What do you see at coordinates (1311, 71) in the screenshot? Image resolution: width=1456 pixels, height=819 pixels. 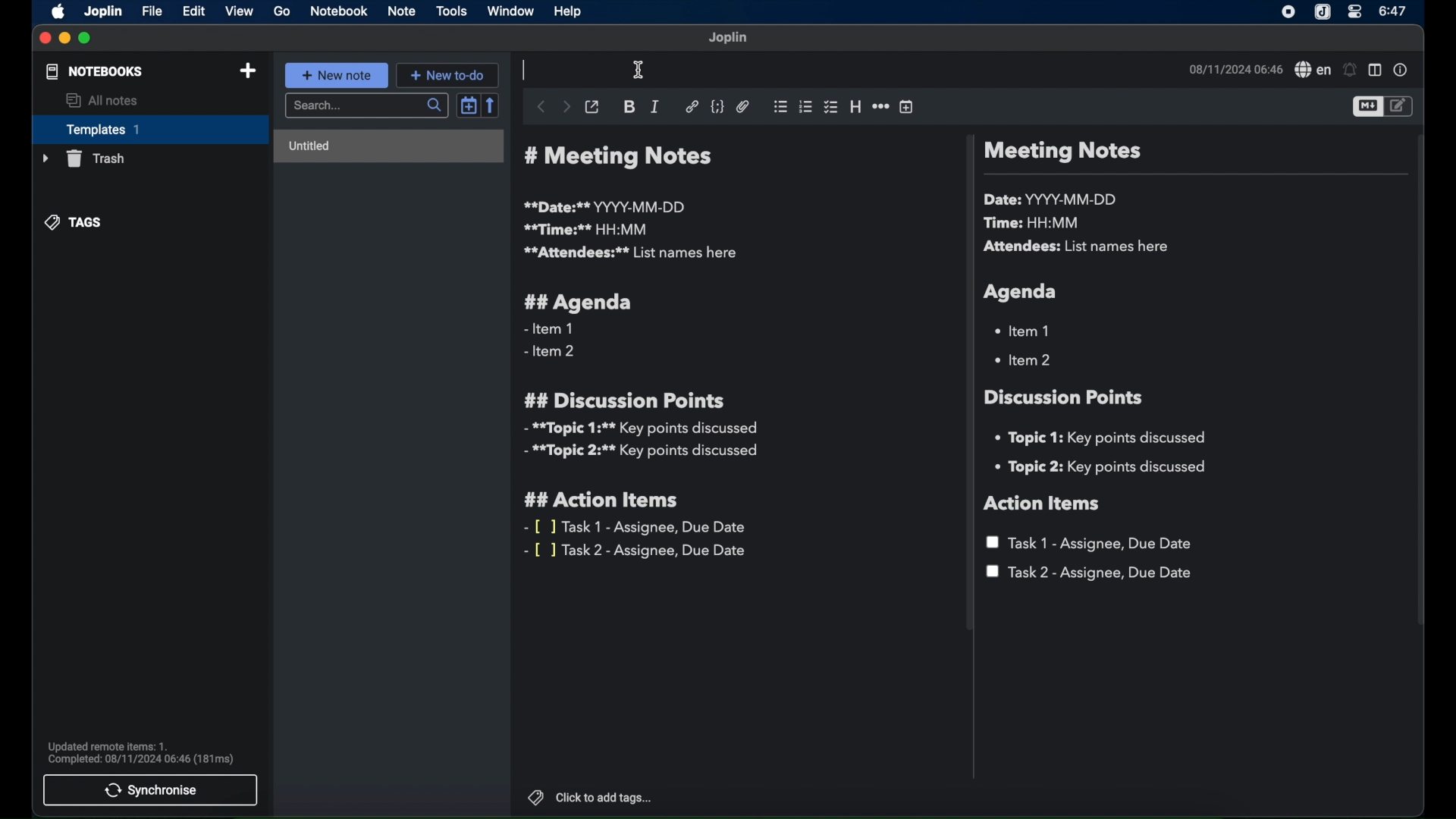 I see `spell checker` at bounding box center [1311, 71].